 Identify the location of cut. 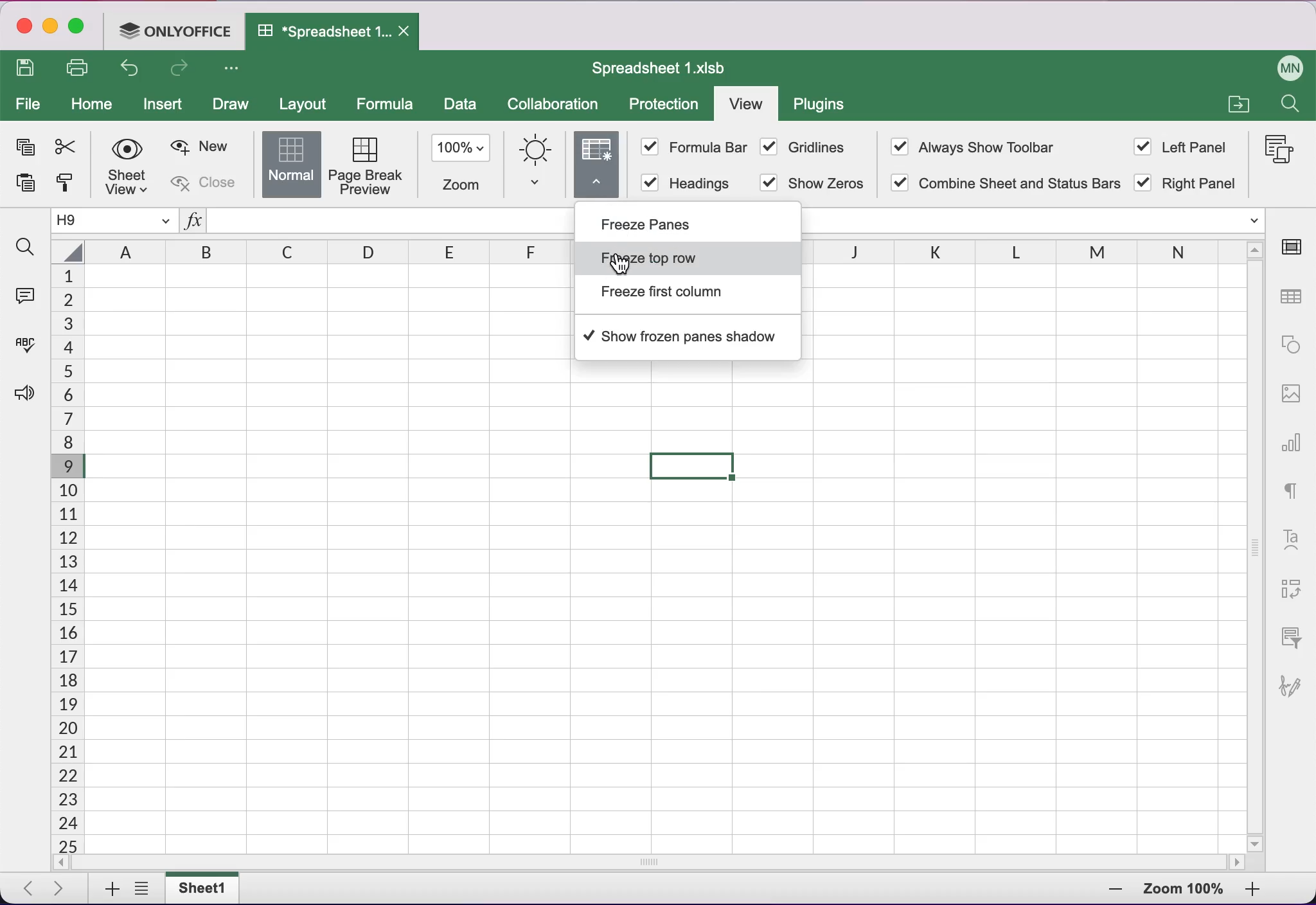
(69, 147).